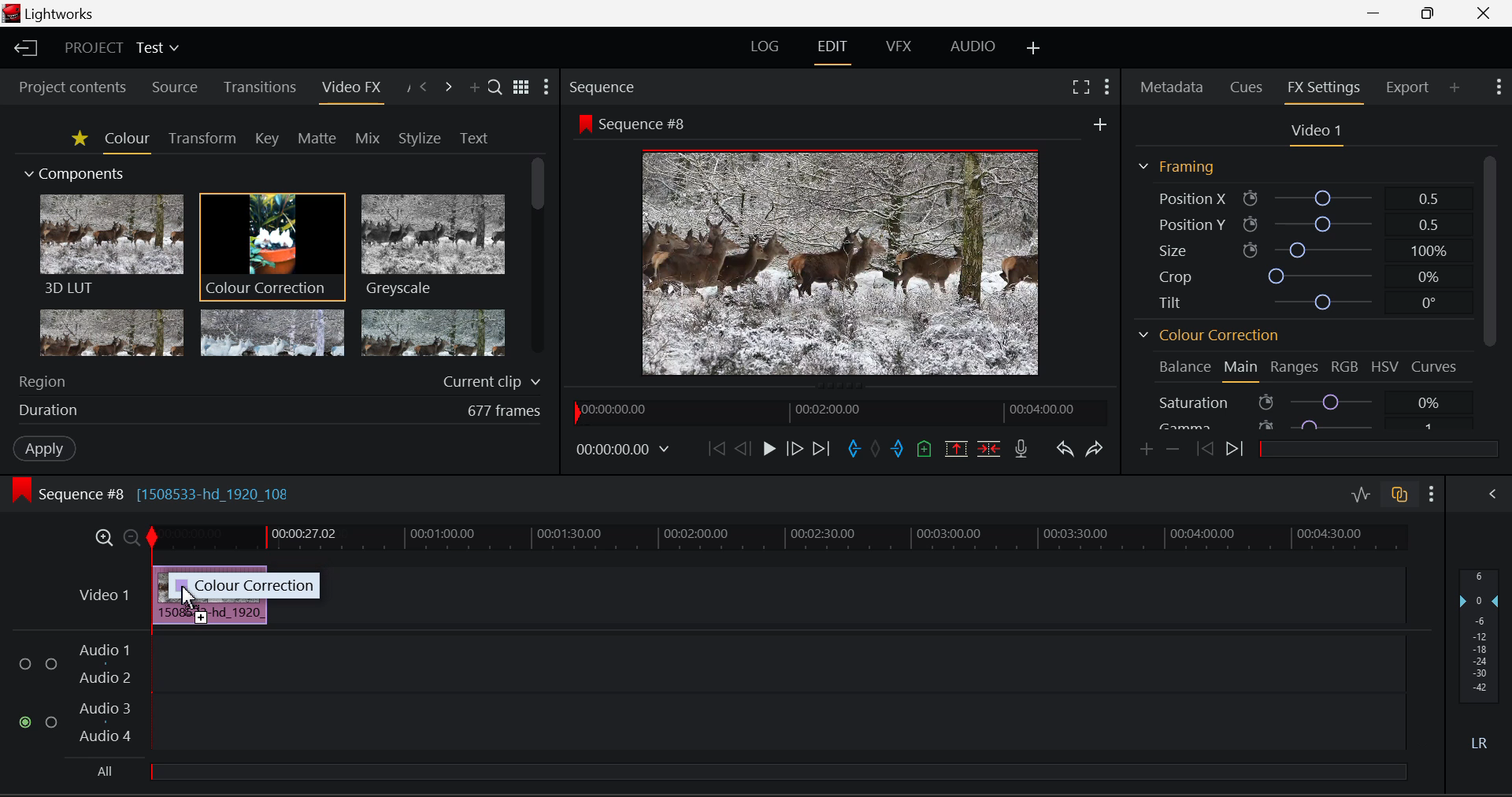  What do you see at coordinates (431, 332) in the screenshot?
I see `Posterize` at bounding box center [431, 332].